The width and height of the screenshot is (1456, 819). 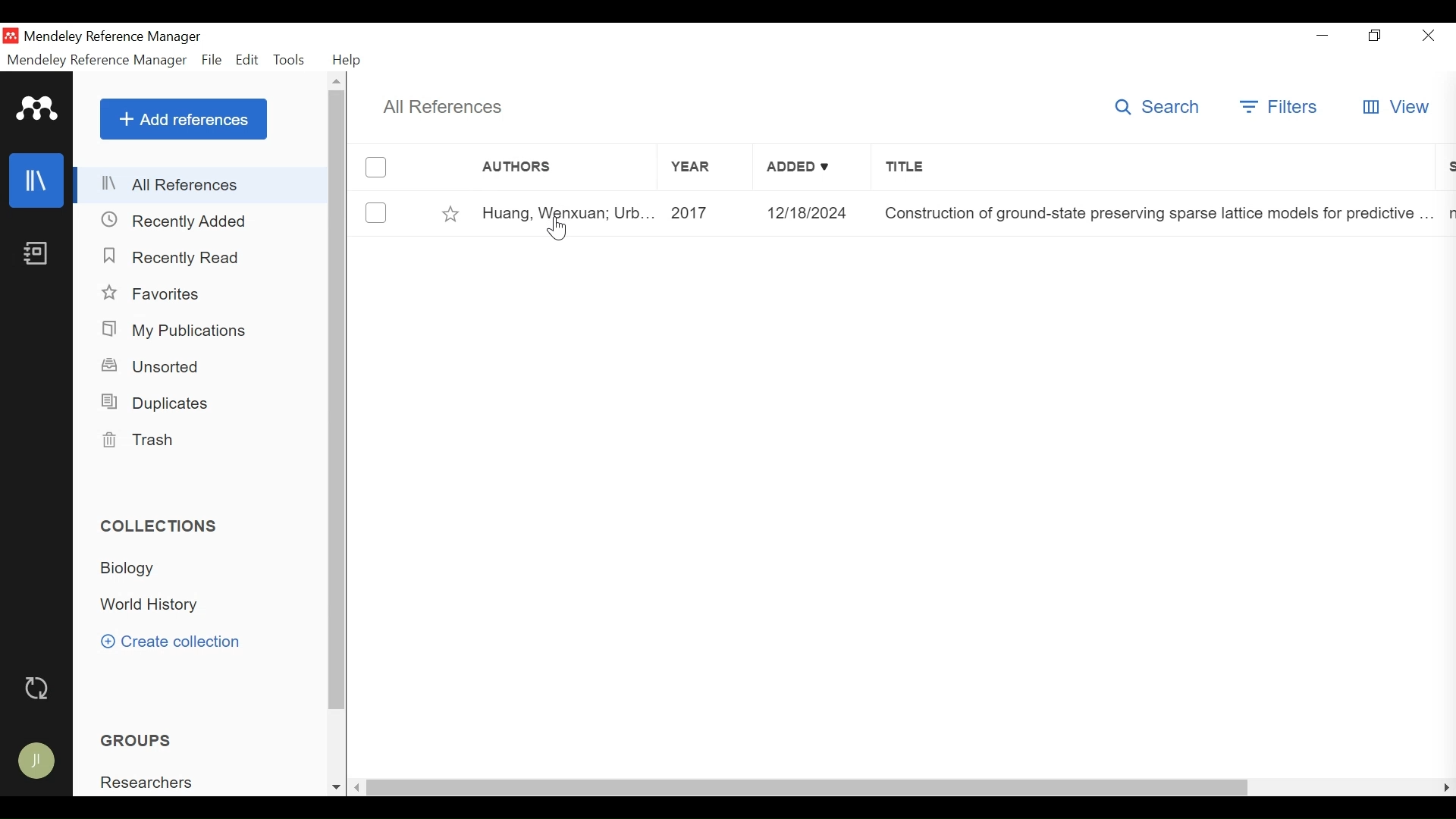 I want to click on Added, so click(x=813, y=214).